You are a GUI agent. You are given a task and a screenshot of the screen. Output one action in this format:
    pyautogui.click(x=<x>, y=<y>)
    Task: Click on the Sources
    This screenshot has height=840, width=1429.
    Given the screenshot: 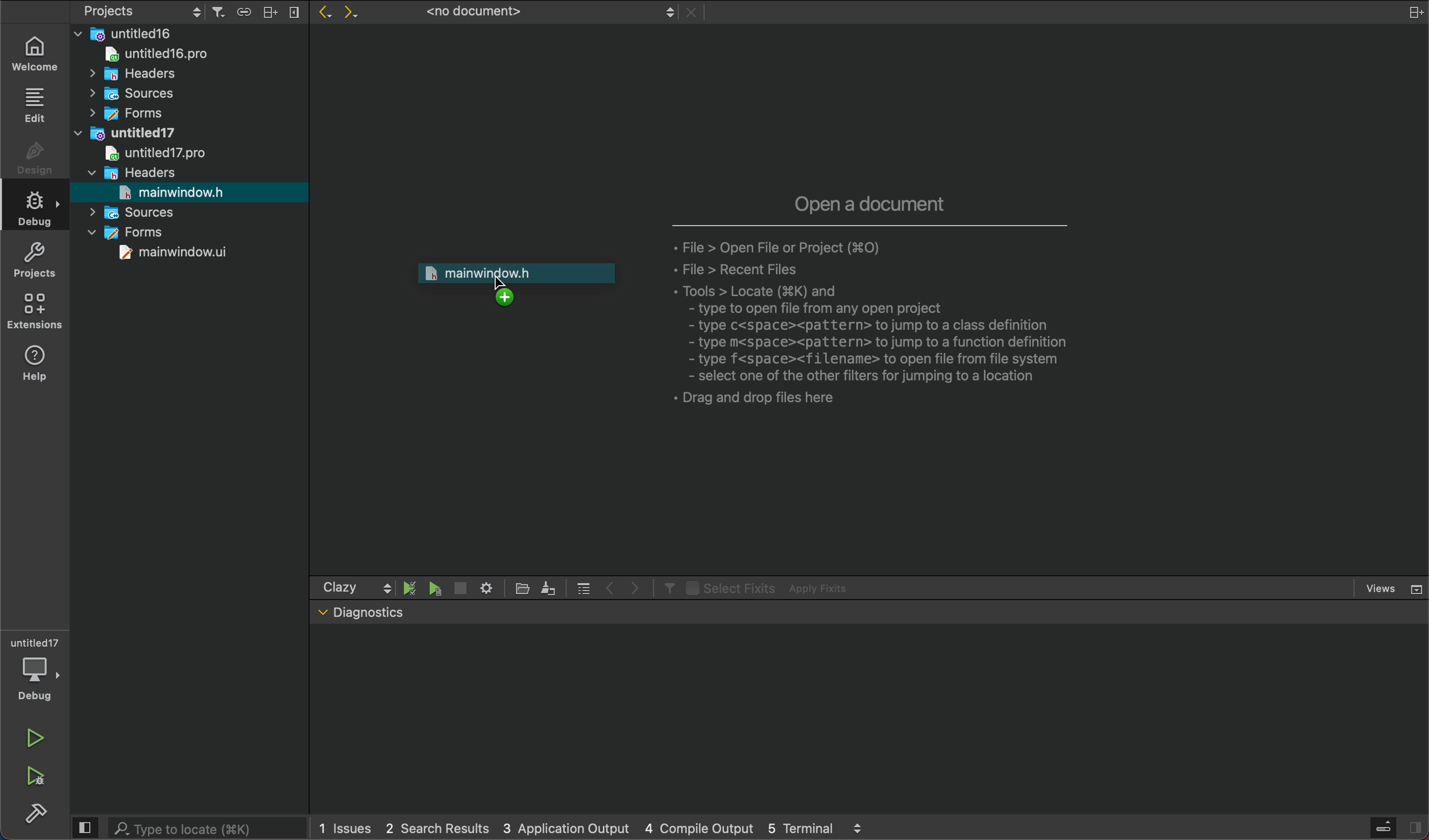 What is the action you would take?
    pyautogui.click(x=137, y=212)
    